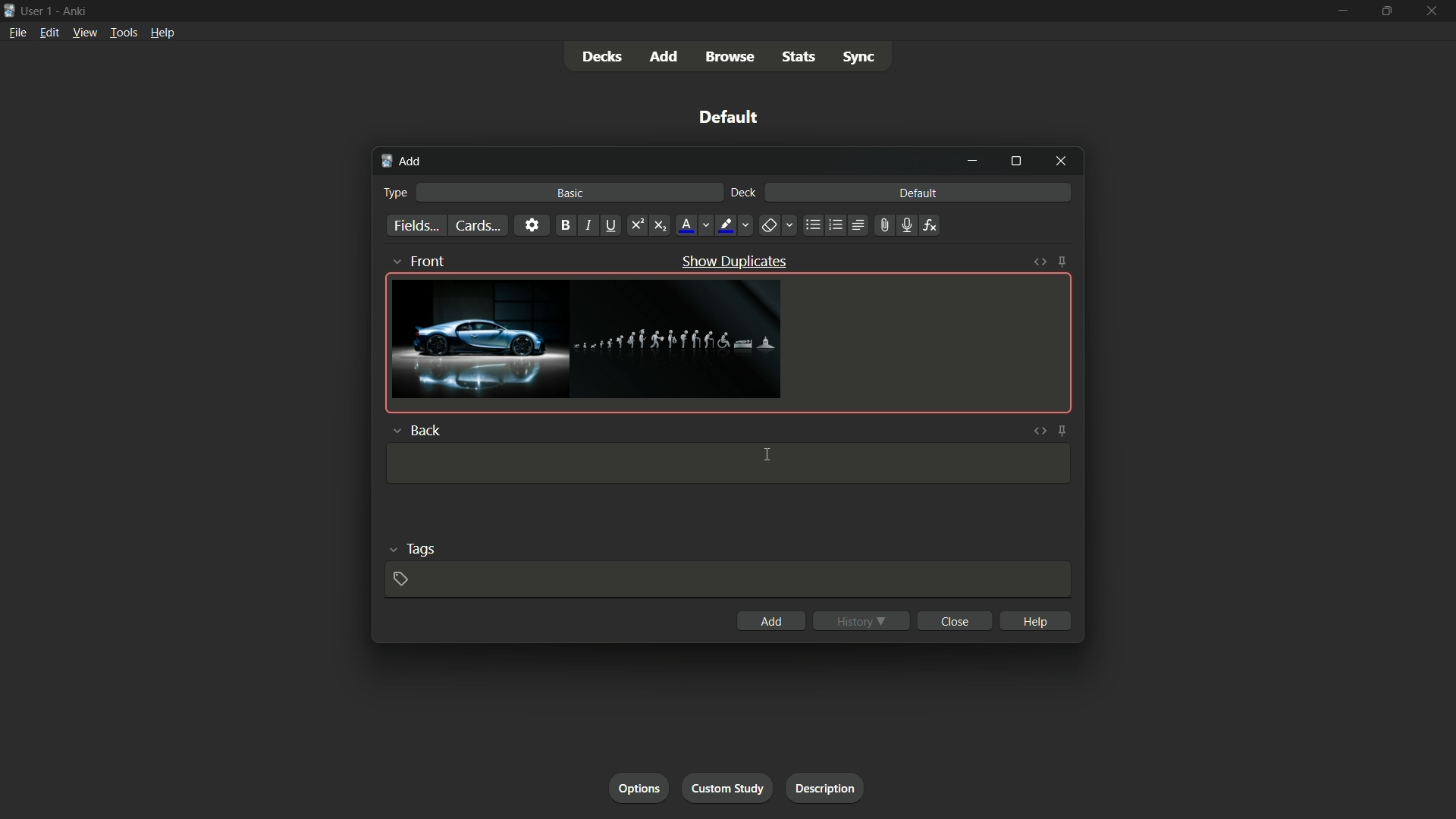  Describe the element at coordinates (162, 34) in the screenshot. I see `help menu` at that location.